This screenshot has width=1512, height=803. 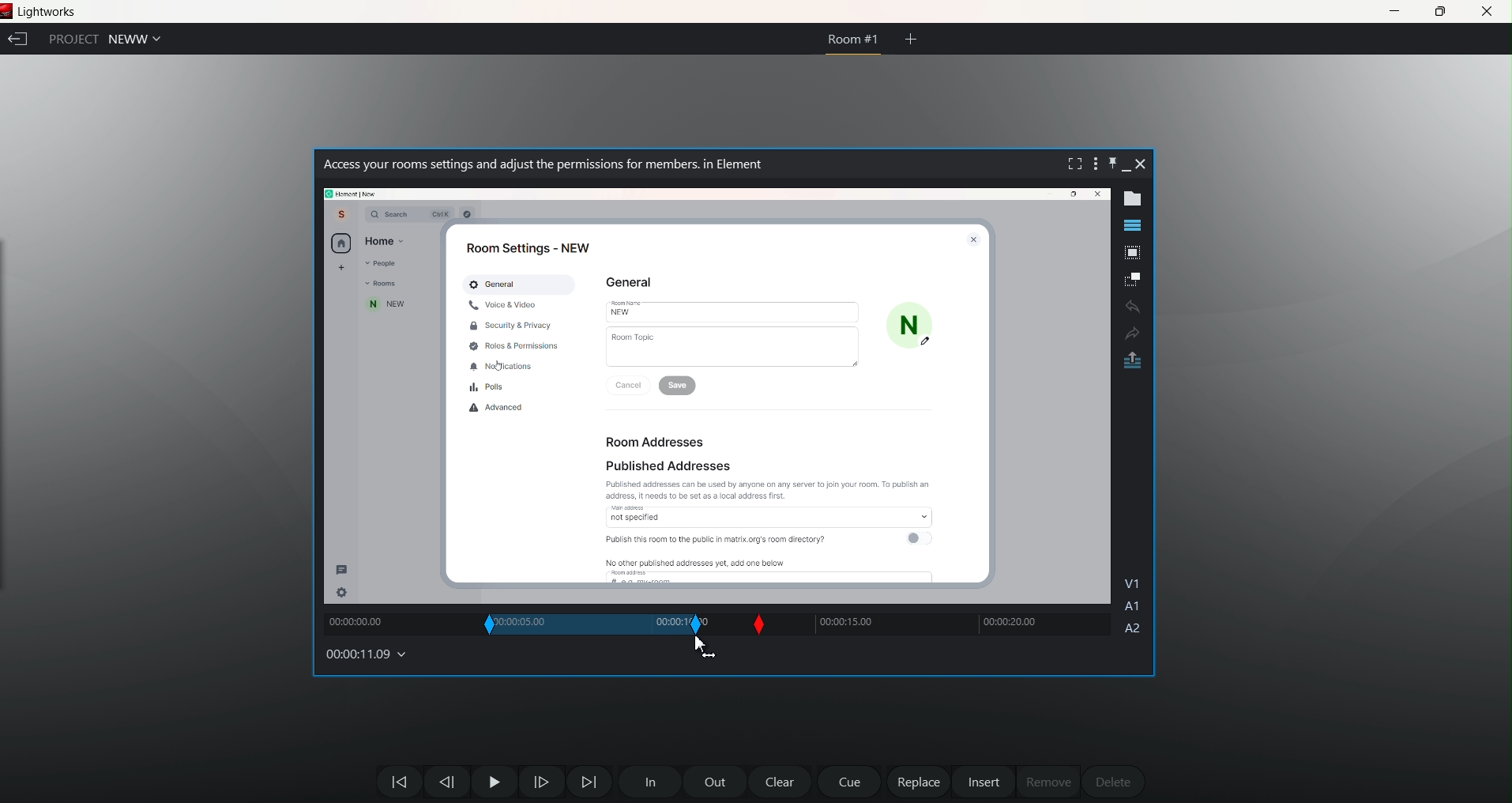 I want to click on No other published addresses yet, add one below, so click(x=698, y=564).